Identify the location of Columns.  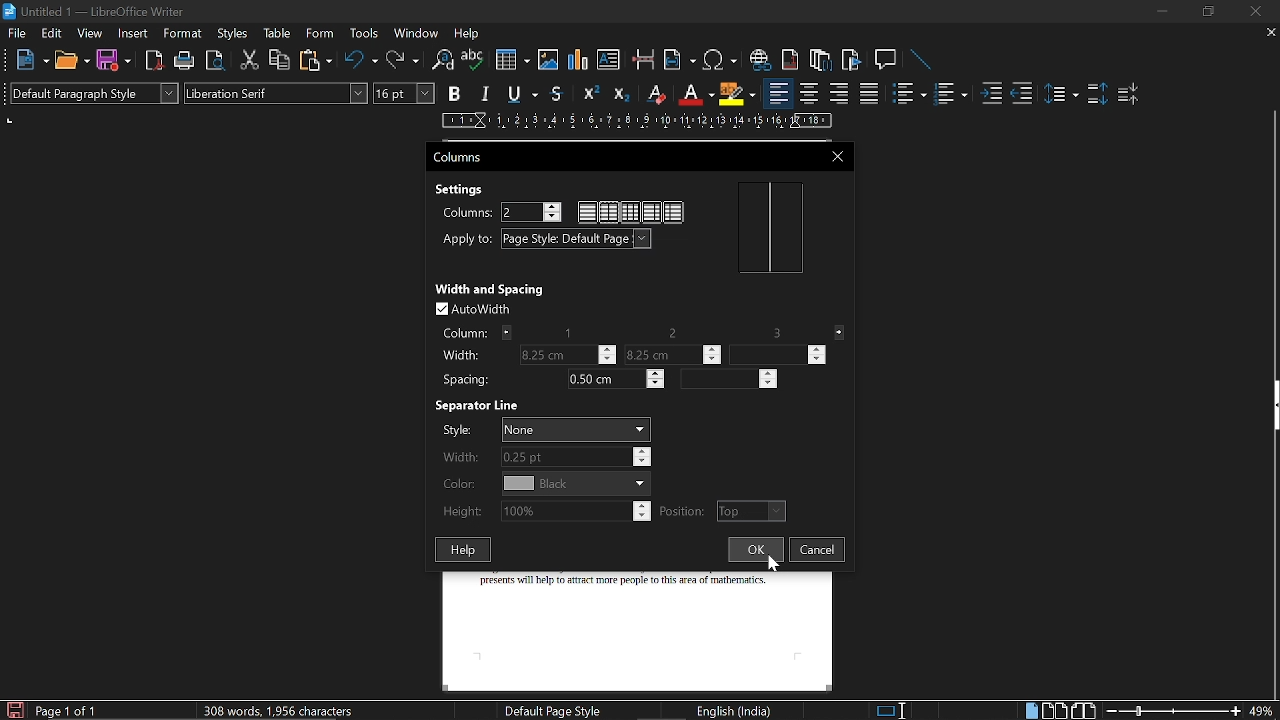
(464, 156).